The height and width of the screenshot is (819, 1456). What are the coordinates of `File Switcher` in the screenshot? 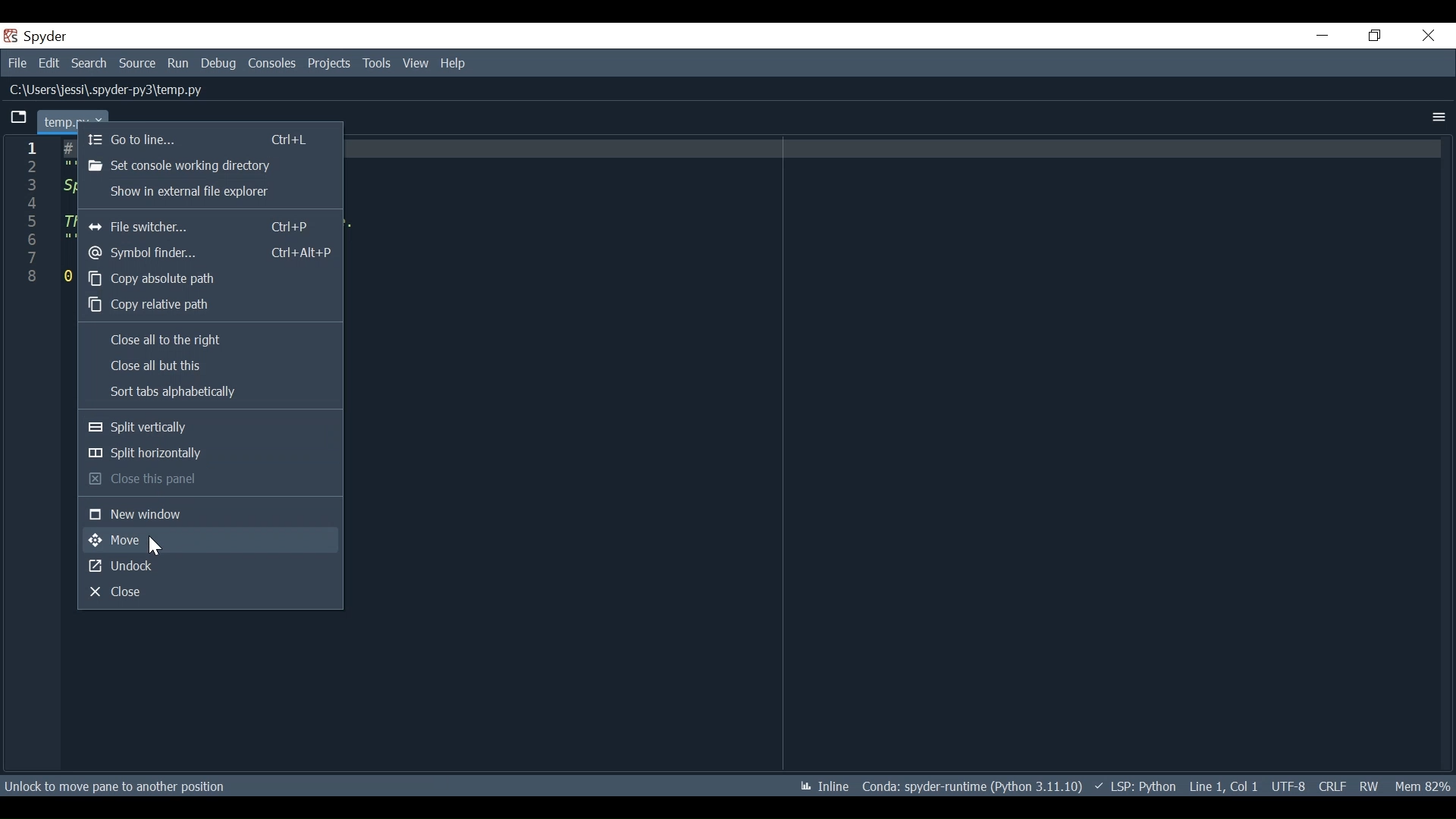 It's located at (212, 227).